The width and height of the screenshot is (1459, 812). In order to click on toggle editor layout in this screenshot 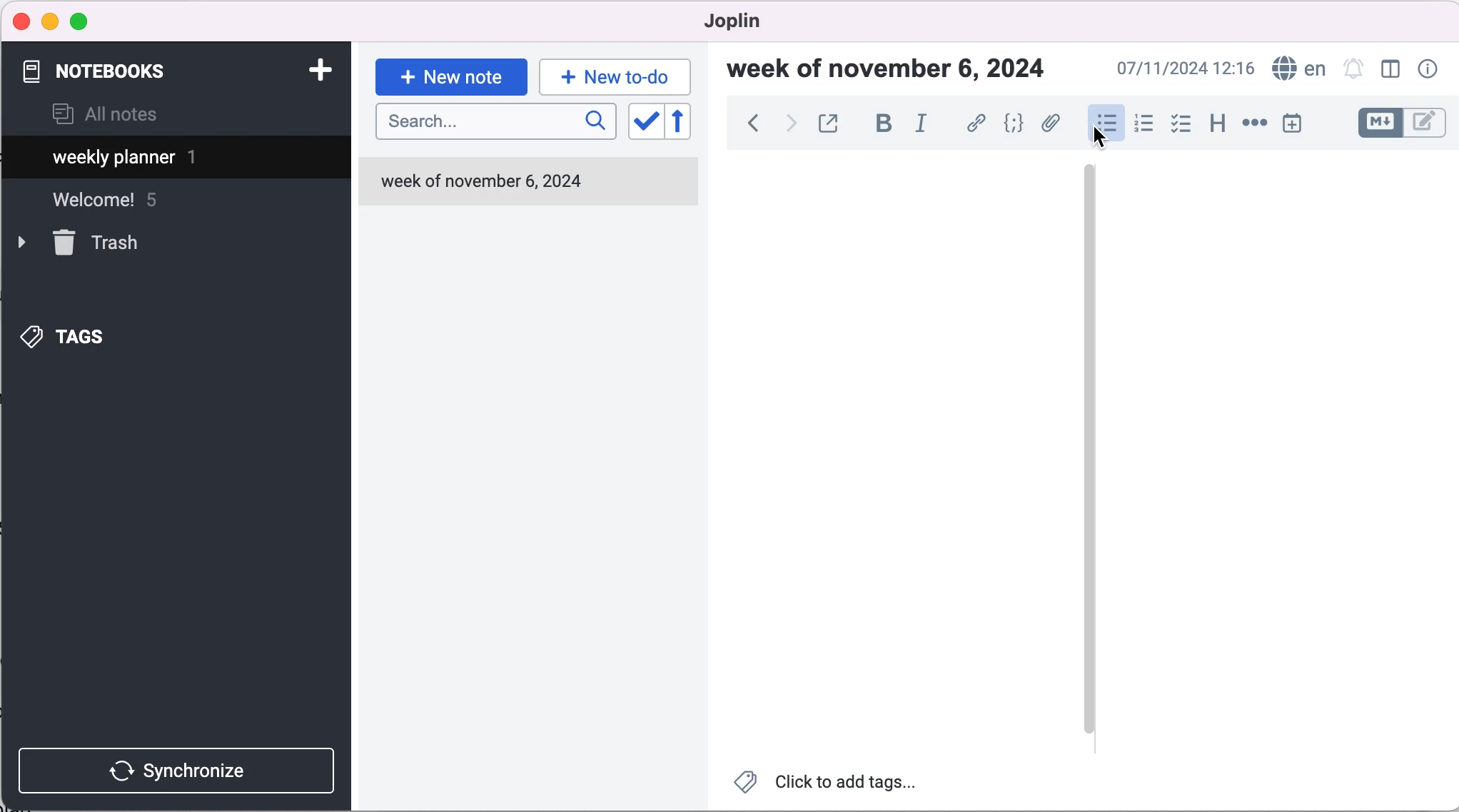, I will do `click(1394, 71)`.